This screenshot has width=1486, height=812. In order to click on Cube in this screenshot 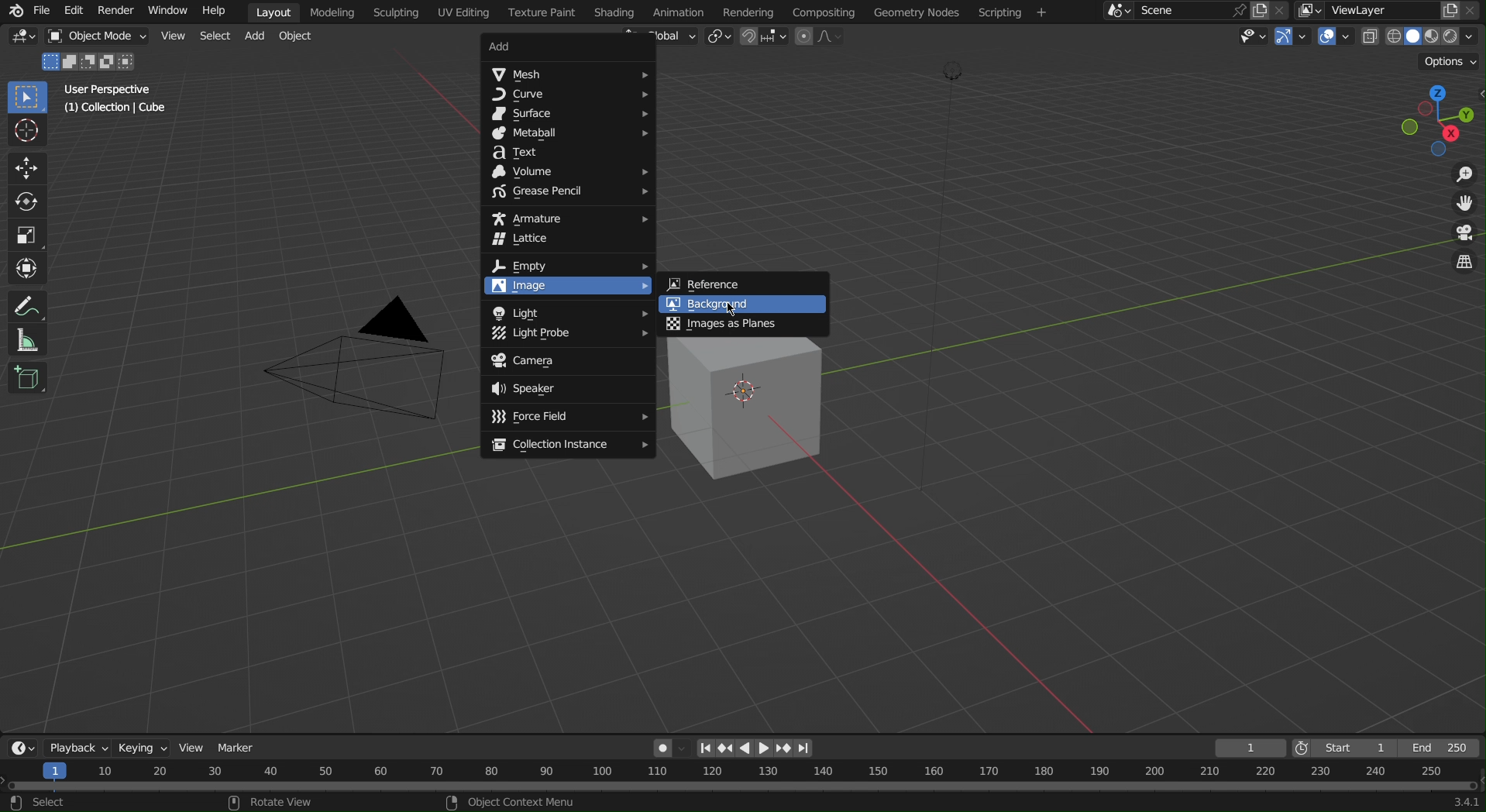, I will do `click(29, 377)`.